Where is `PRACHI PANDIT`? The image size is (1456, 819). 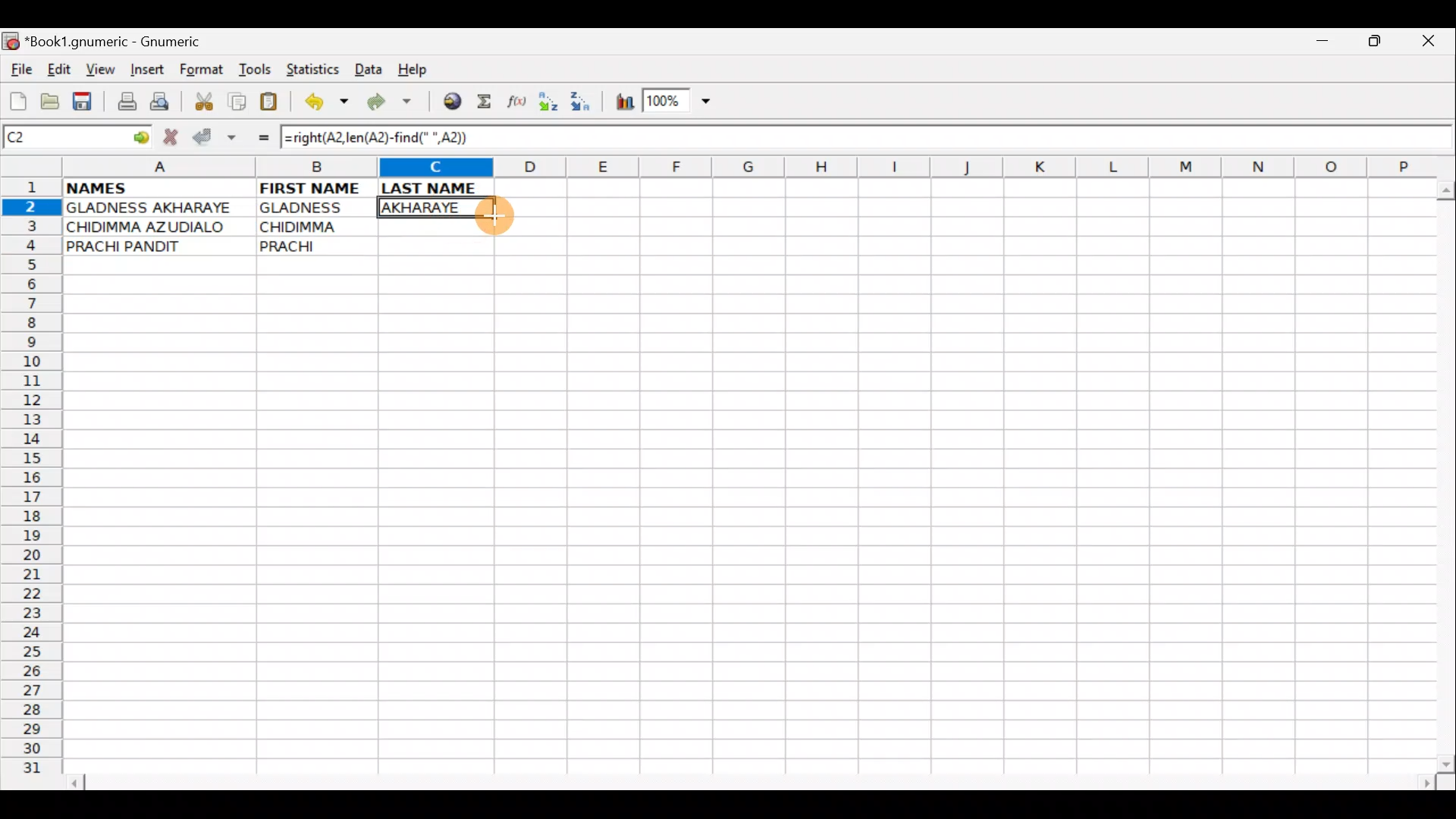
PRACHI PANDIT is located at coordinates (149, 246).